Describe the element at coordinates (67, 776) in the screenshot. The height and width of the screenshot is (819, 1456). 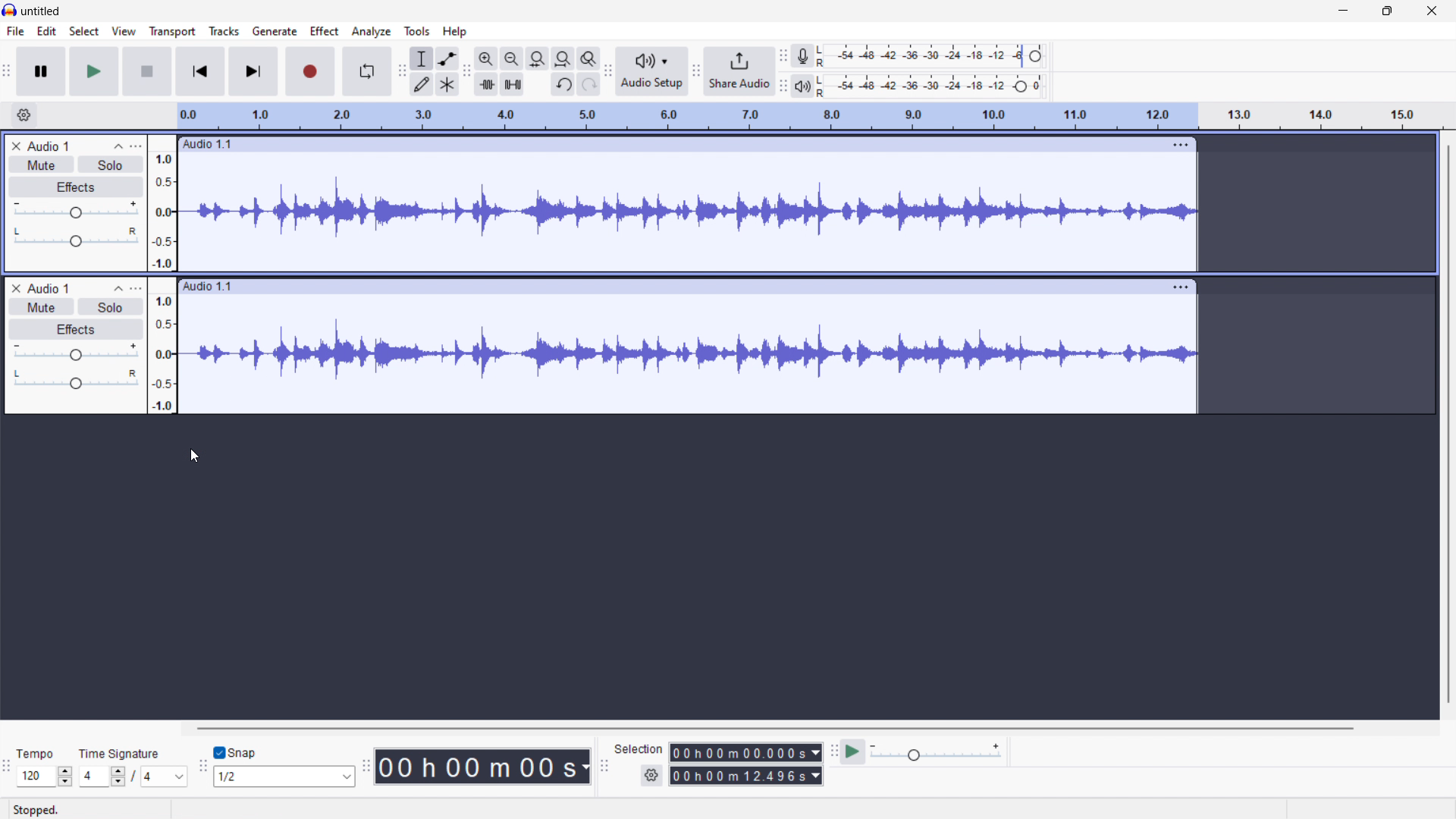
I see `Drop down` at that location.